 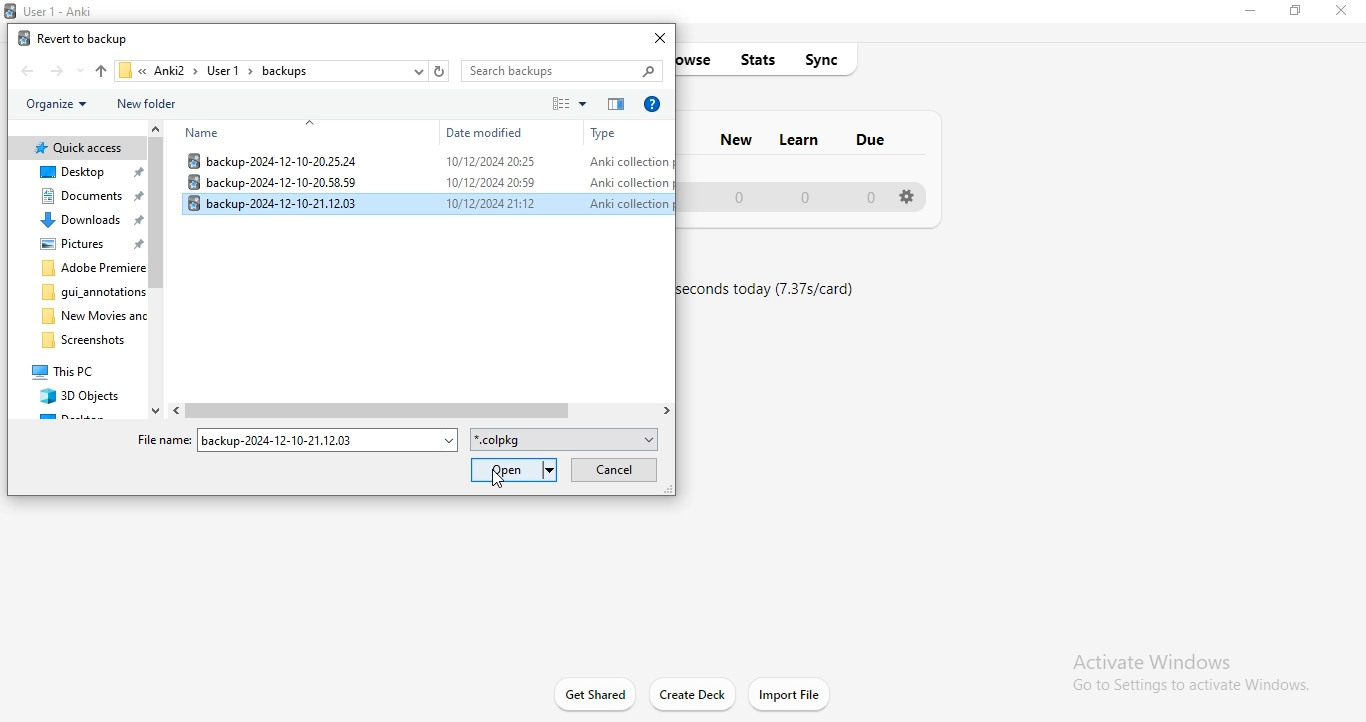 I want to click on file name, so click(x=299, y=441).